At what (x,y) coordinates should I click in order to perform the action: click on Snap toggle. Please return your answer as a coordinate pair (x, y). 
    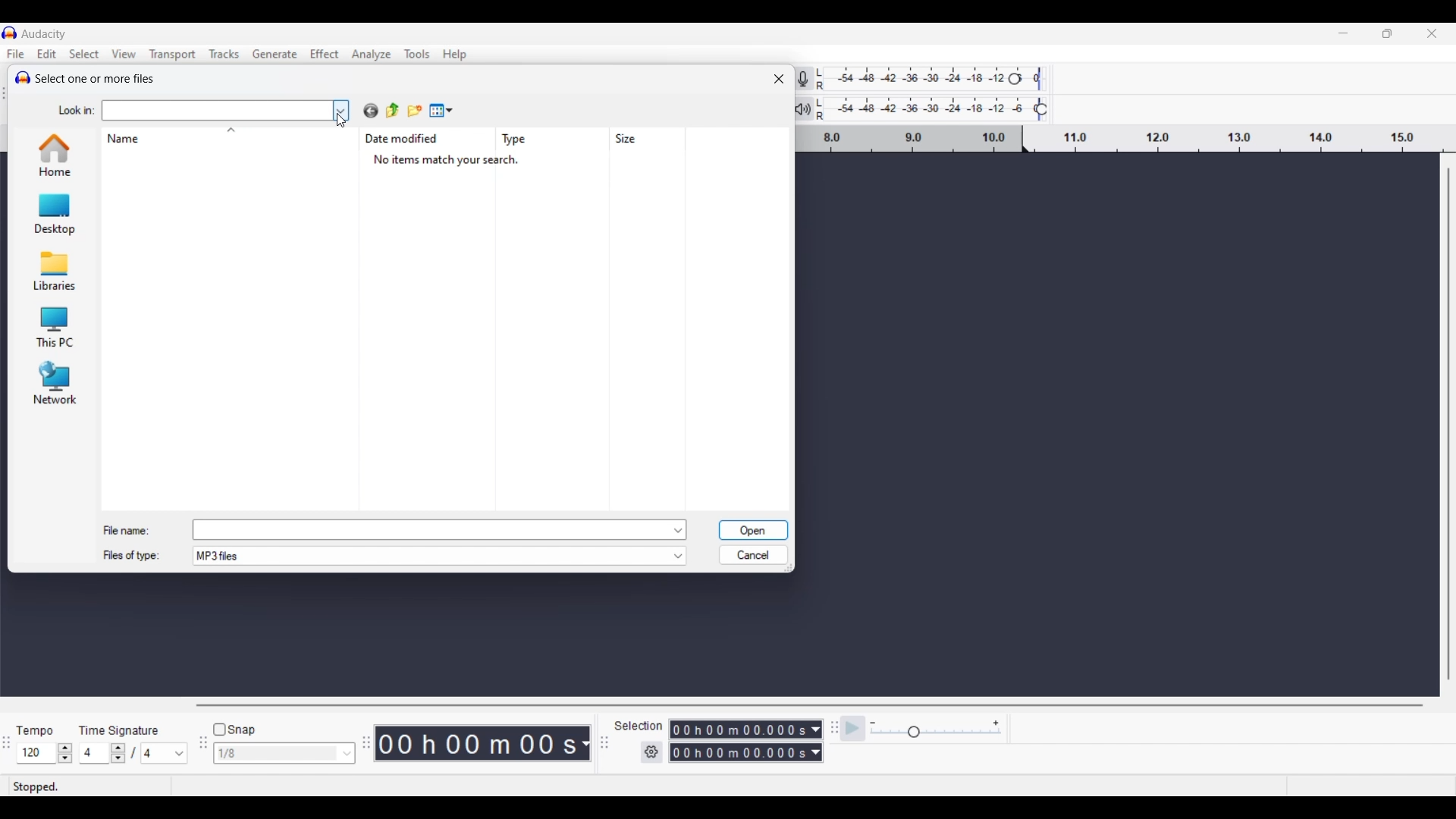
    Looking at the image, I should click on (234, 730).